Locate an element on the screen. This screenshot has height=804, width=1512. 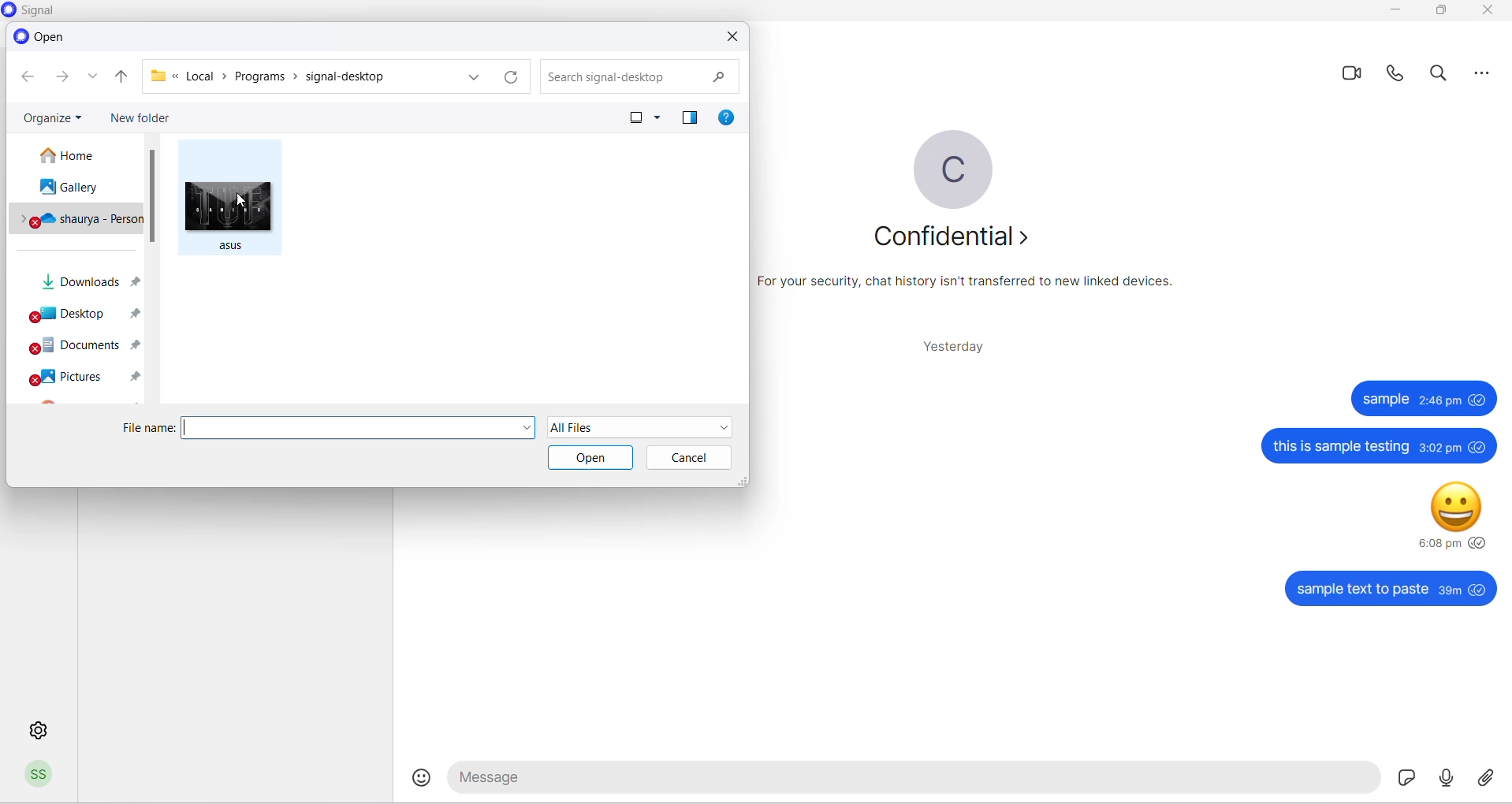
seen is located at coordinates (1479, 589).